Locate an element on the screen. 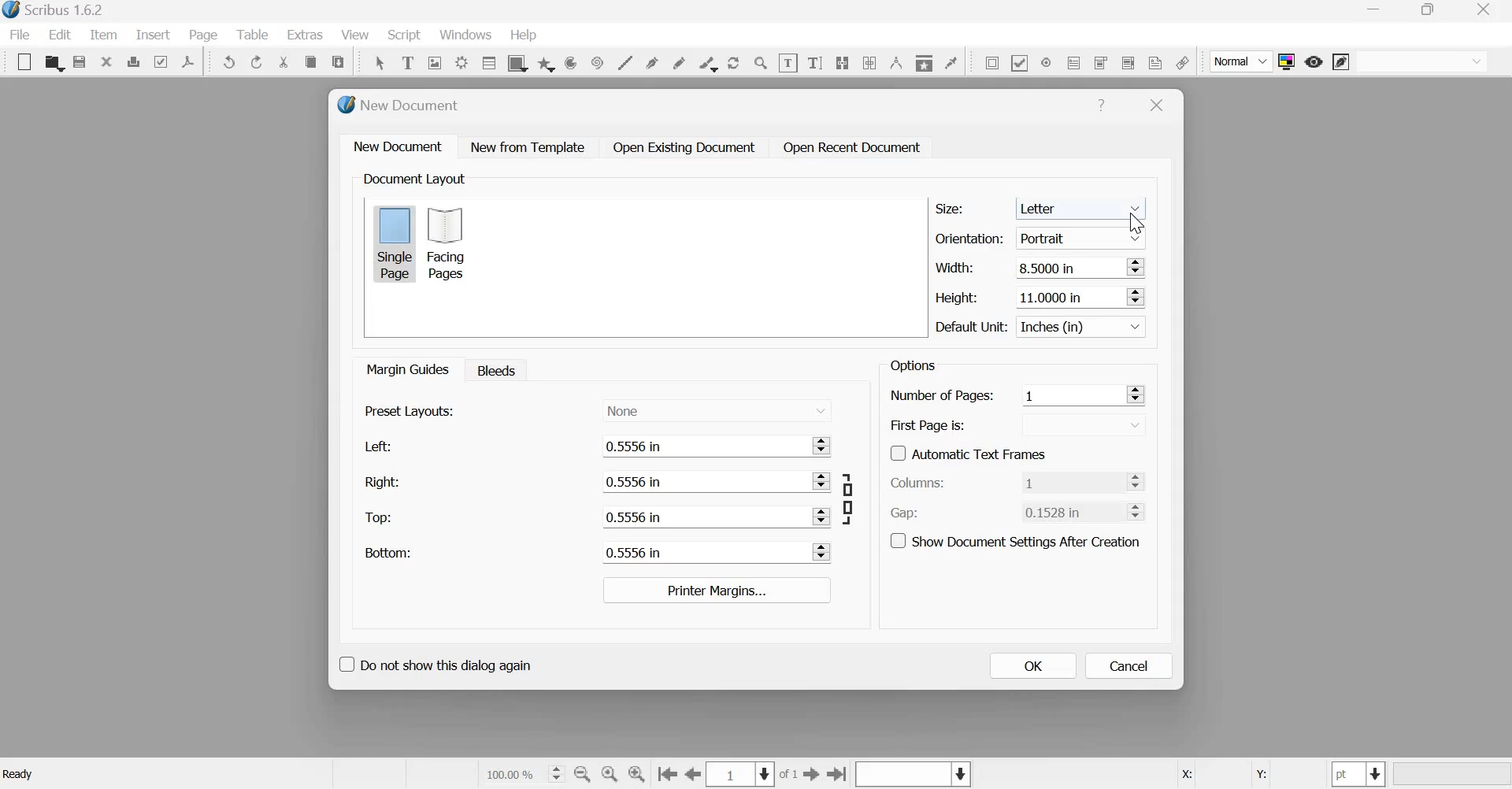  First Page is: is located at coordinates (928, 424).